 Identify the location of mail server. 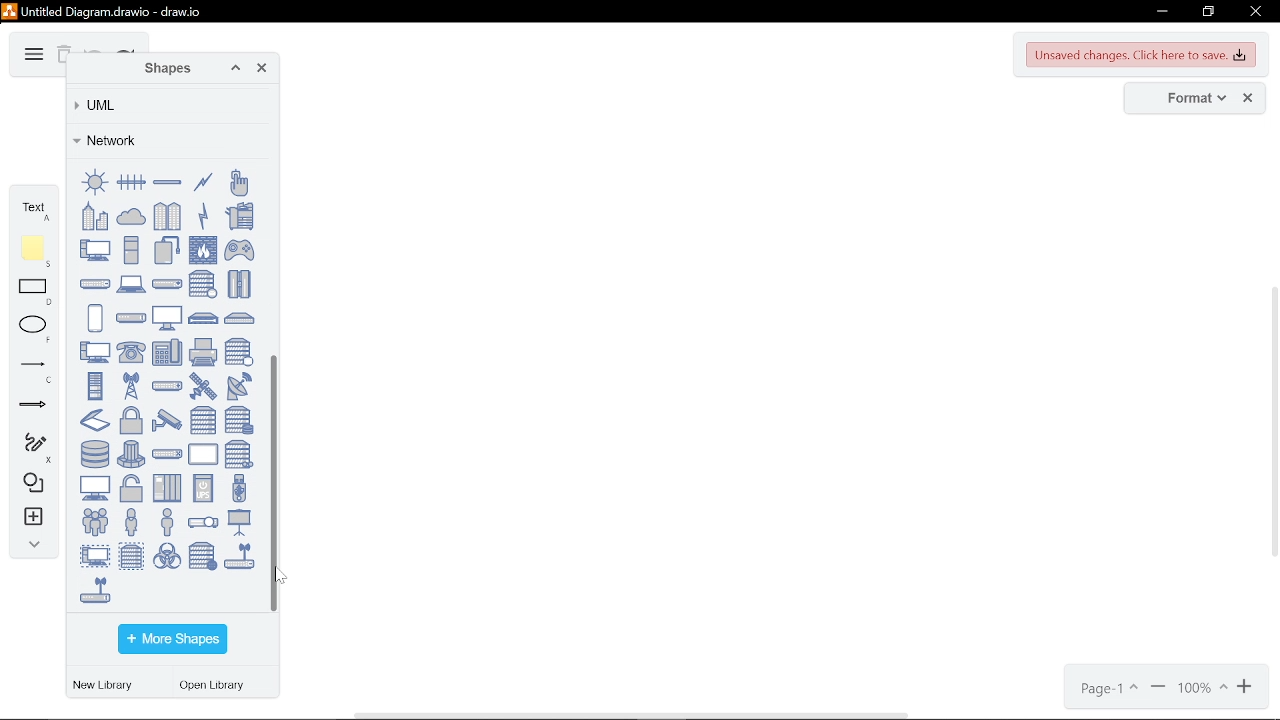
(203, 284).